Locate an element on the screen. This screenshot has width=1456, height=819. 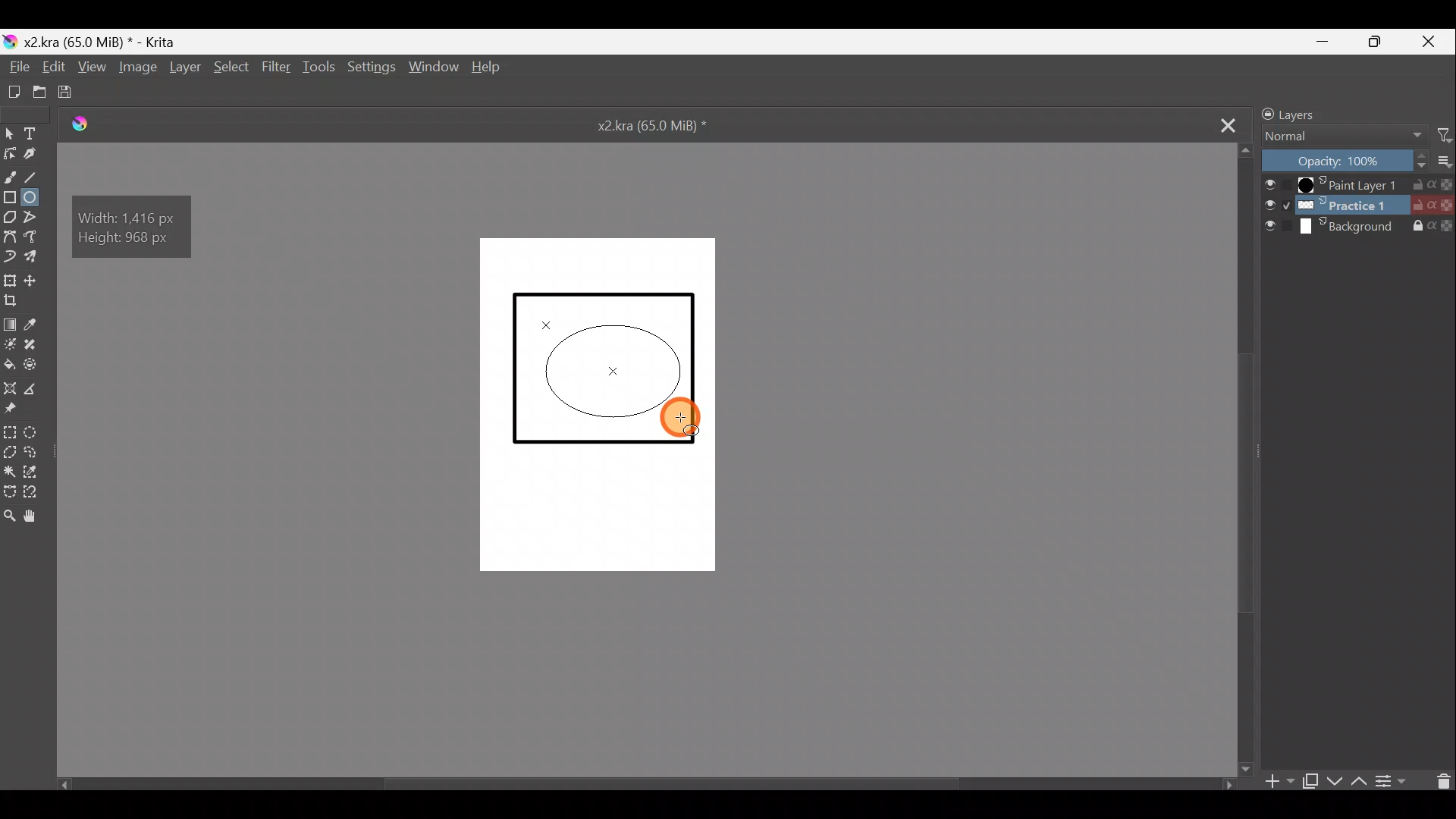
Select is located at coordinates (231, 68).